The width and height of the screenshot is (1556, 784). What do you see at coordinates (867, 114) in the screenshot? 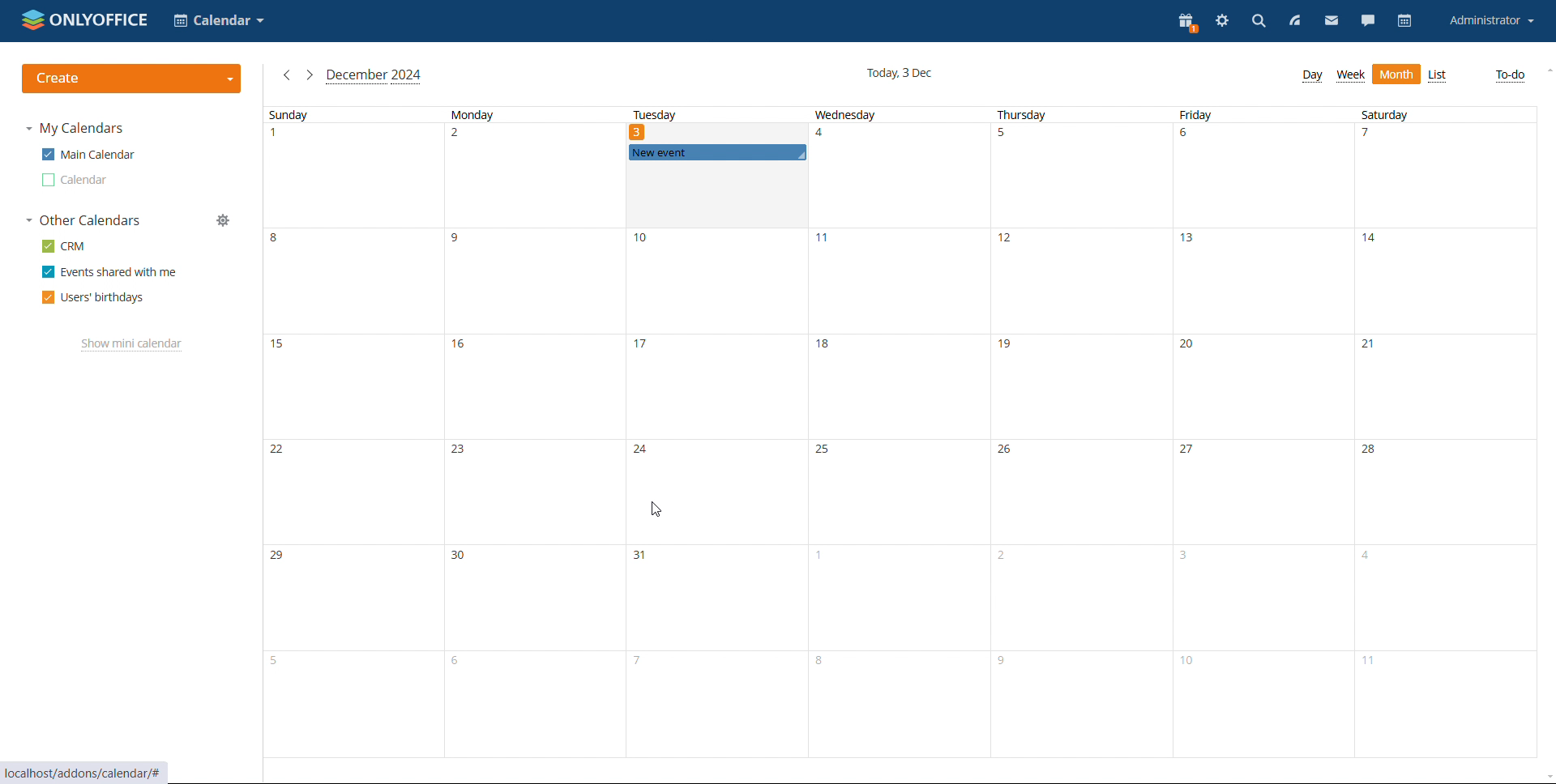
I see `wednesday` at bounding box center [867, 114].